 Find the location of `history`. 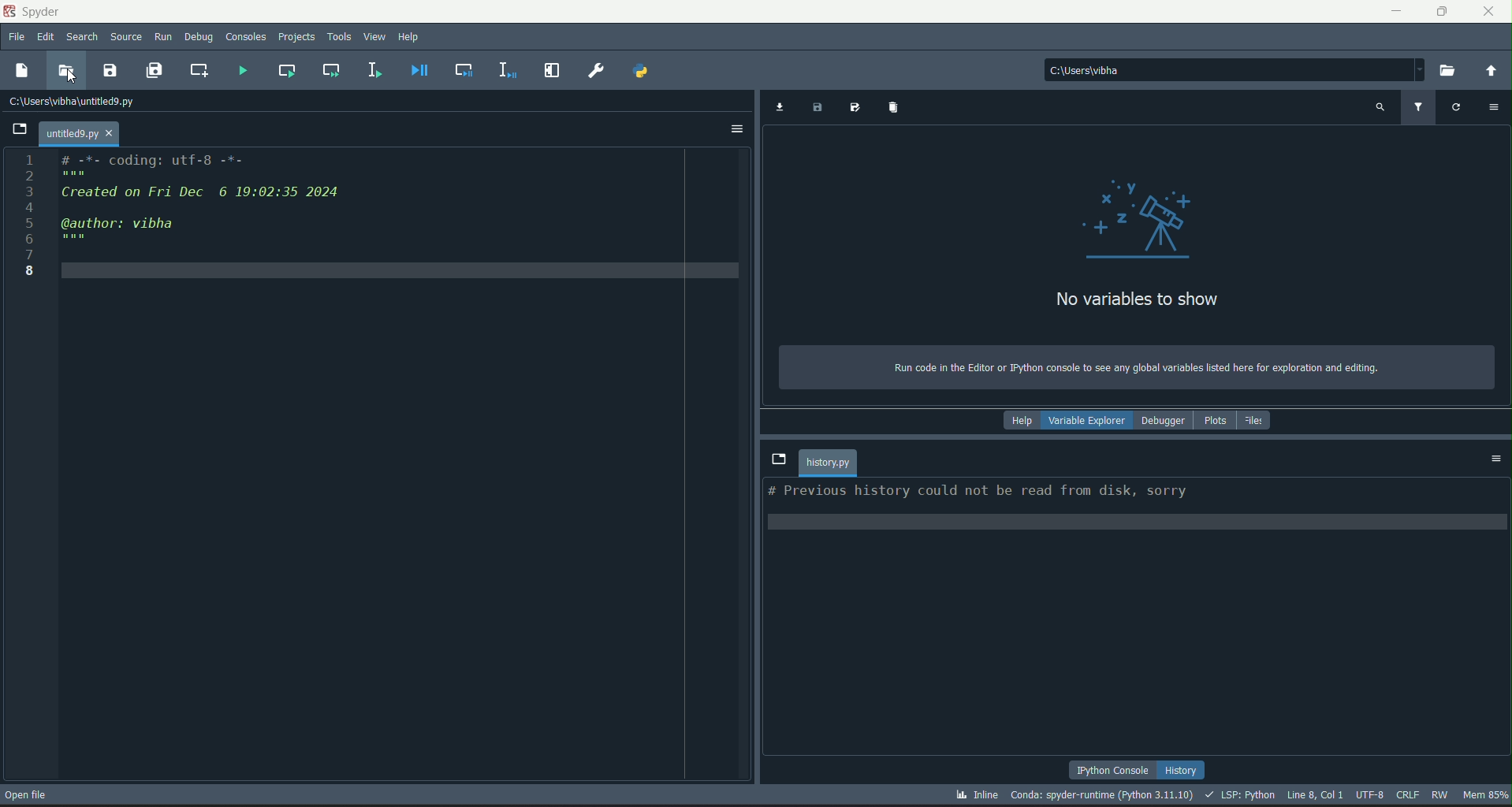

history is located at coordinates (1183, 768).